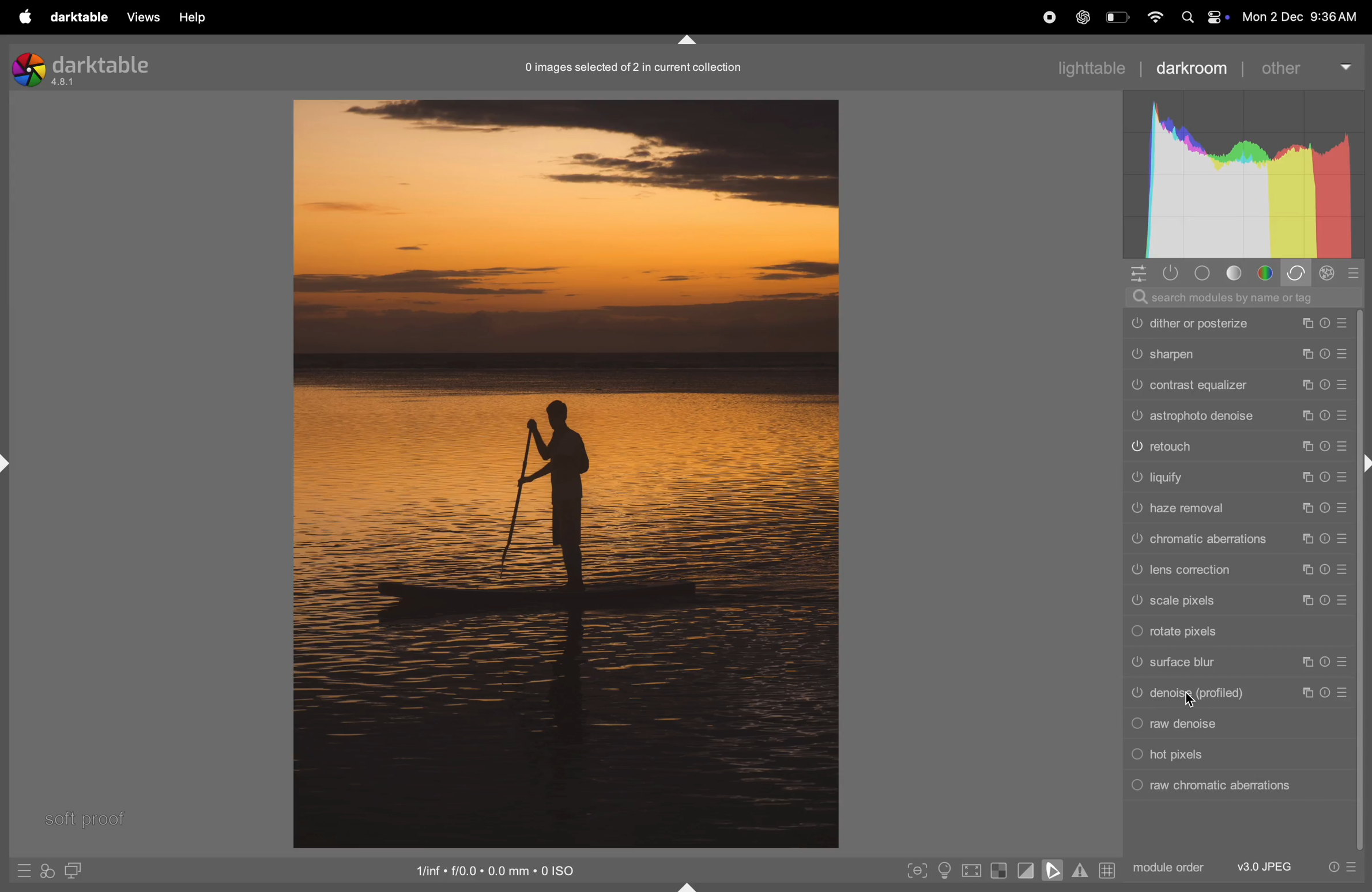  Describe the element at coordinates (1241, 630) in the screenshot. I see `rotate pixels` at that location.